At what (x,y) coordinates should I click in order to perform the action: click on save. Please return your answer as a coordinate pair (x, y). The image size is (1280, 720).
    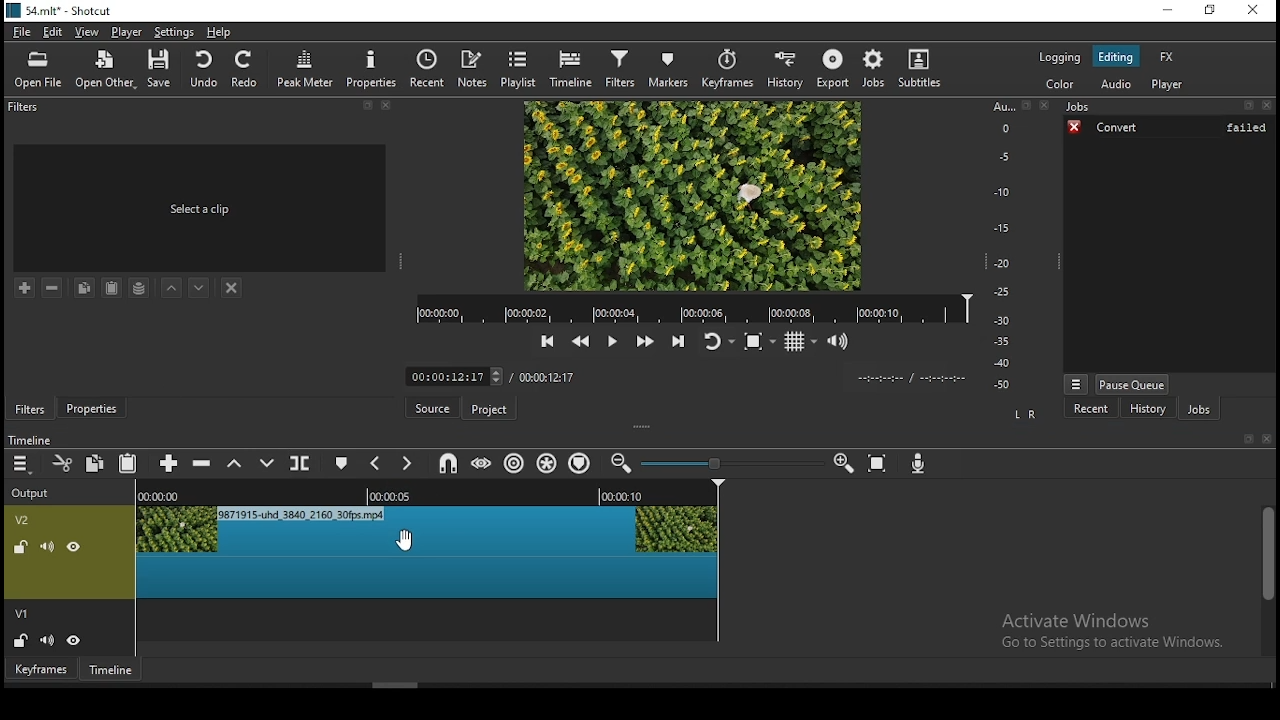
    Looking at the image, I should click on (160, 70).